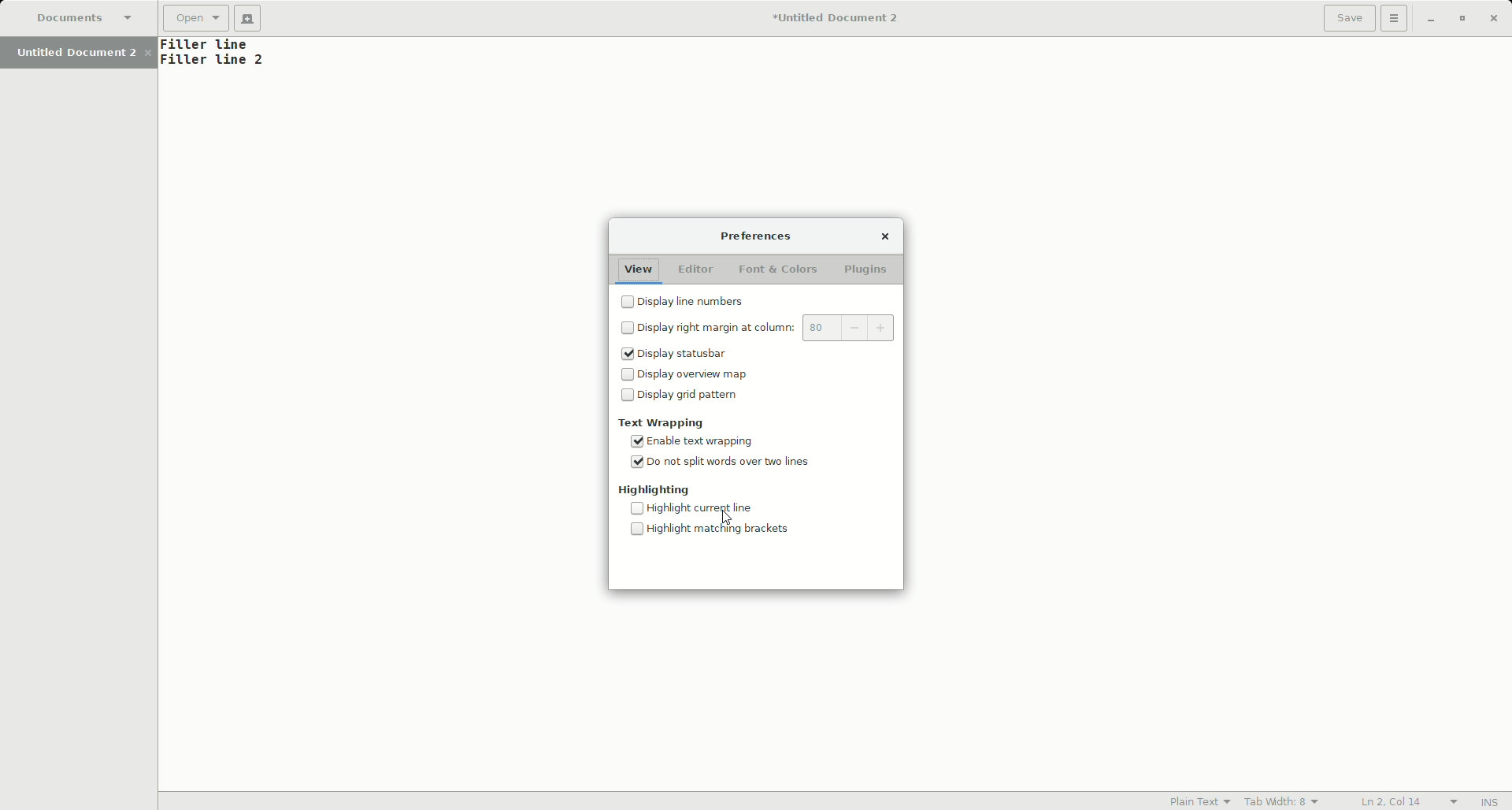  I want to click on Preferences, so click(758, 237).